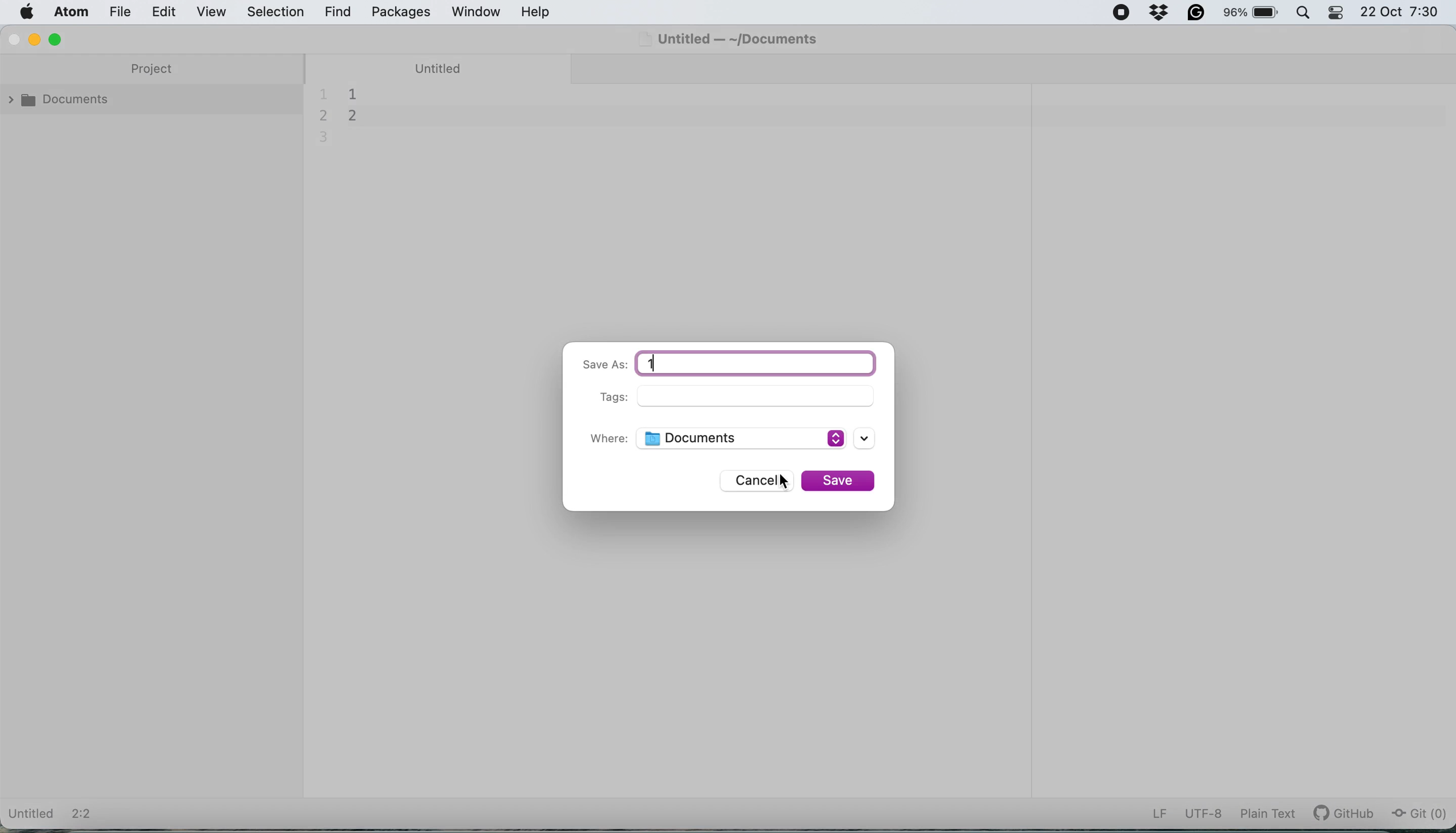 This screenshot has height=833, width=1456. Describe the element at coordinates (170, 12) in the screenshot. I see `edit` at that location.